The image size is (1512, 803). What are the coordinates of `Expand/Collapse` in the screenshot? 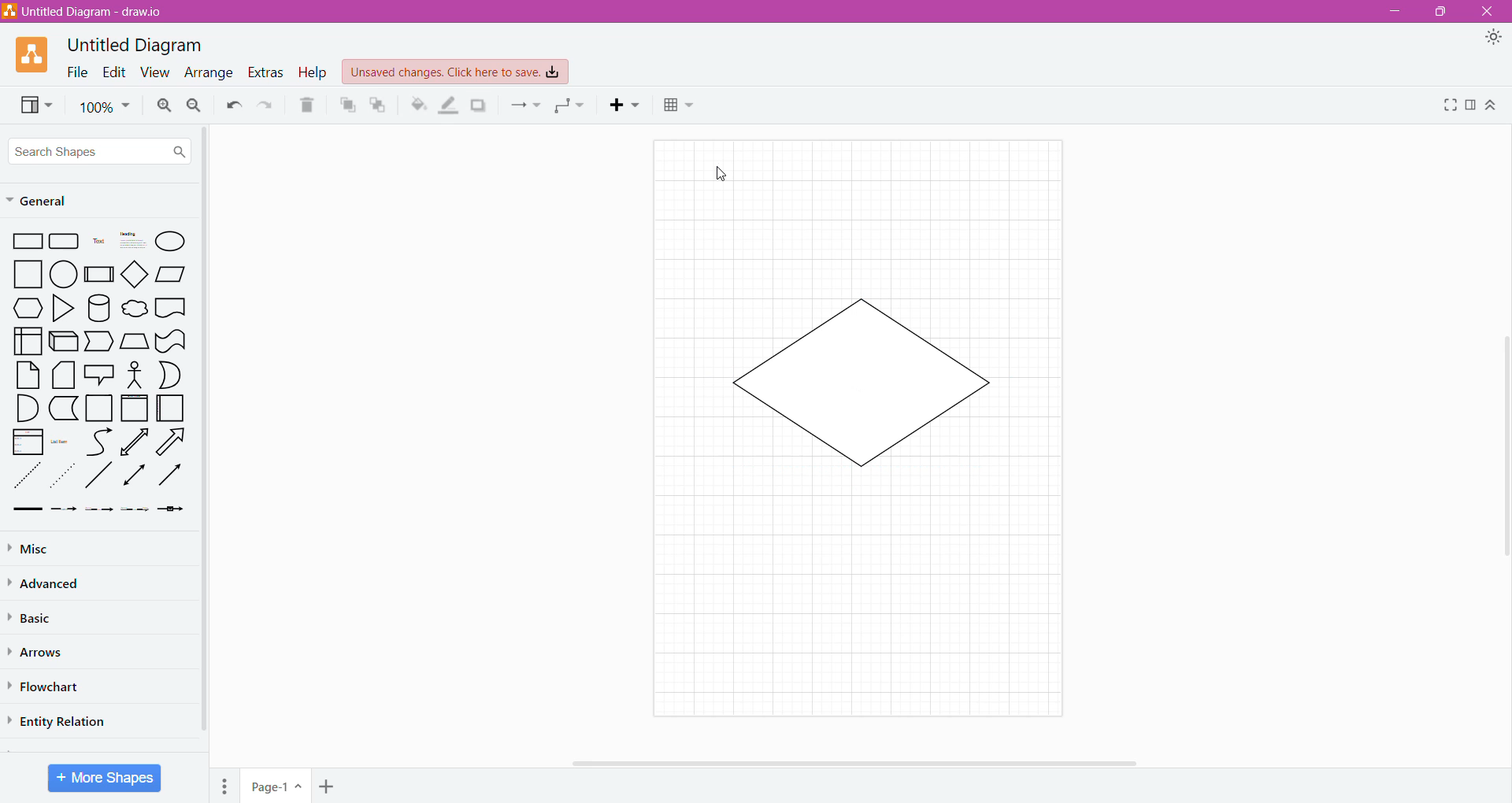 It's located at (1492, 106).